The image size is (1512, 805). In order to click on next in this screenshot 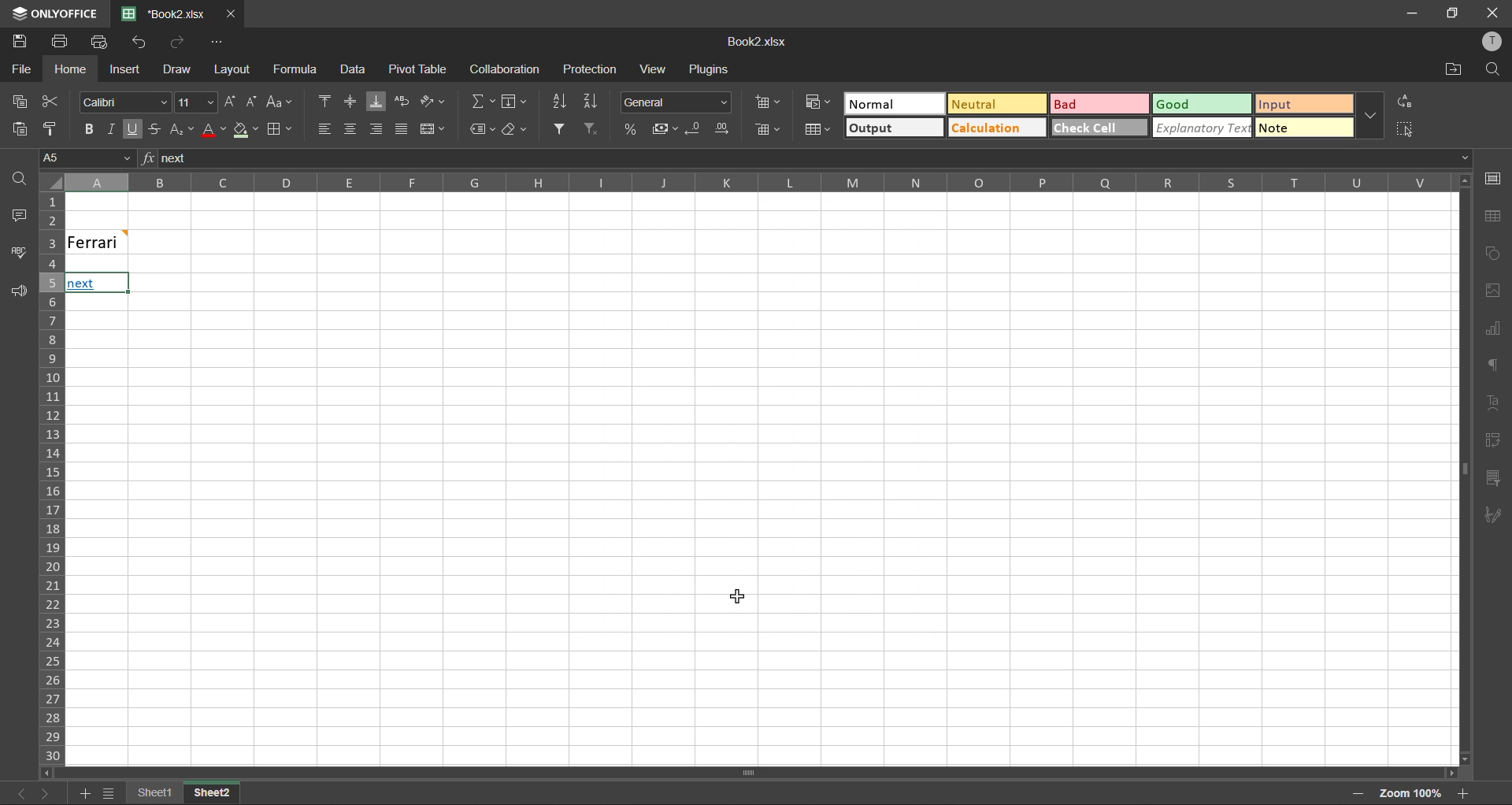, I will do `click(43, 793)`.